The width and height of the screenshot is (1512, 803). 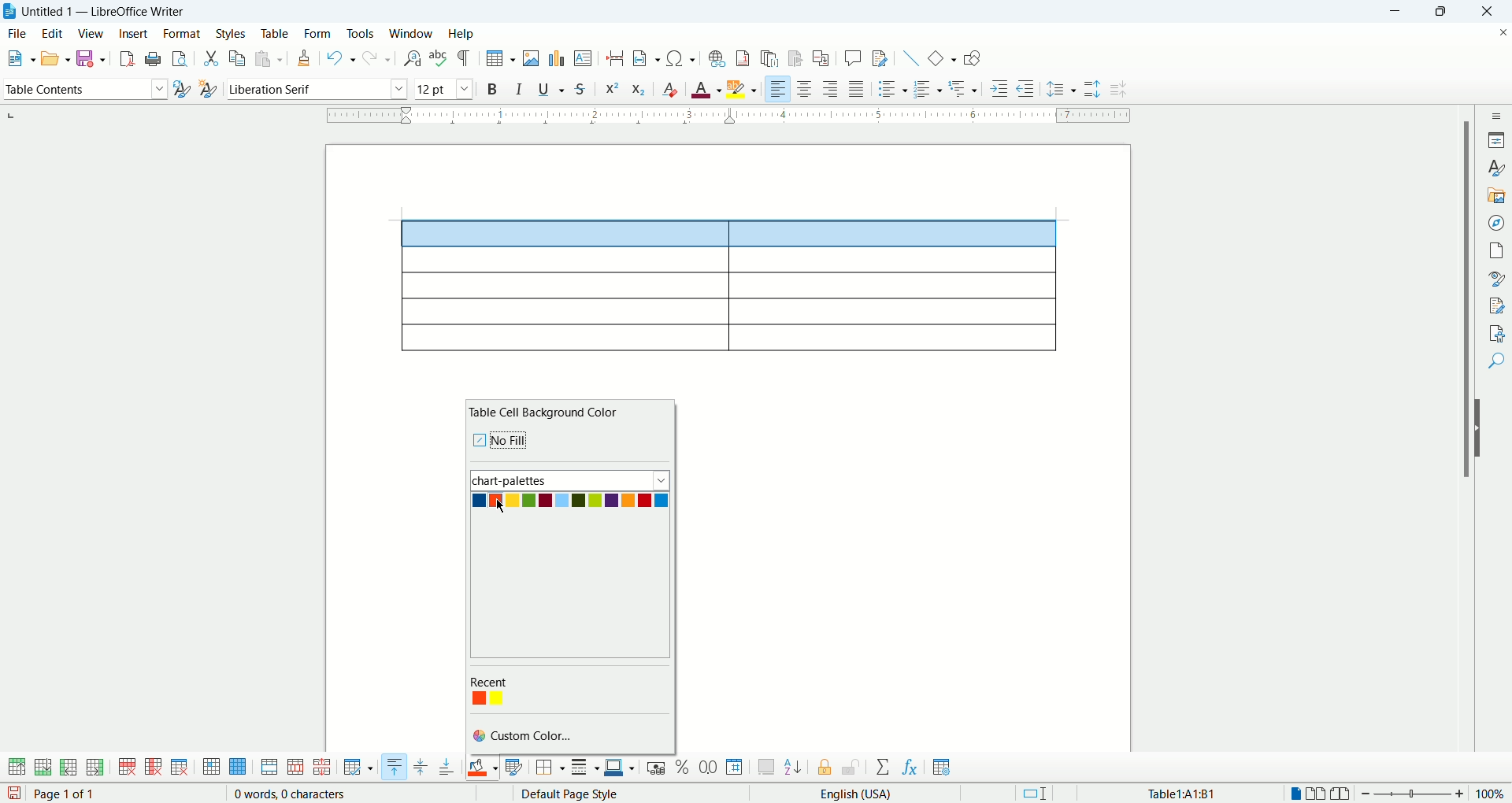 I want to click on hide, so click(x=1482, y=428).